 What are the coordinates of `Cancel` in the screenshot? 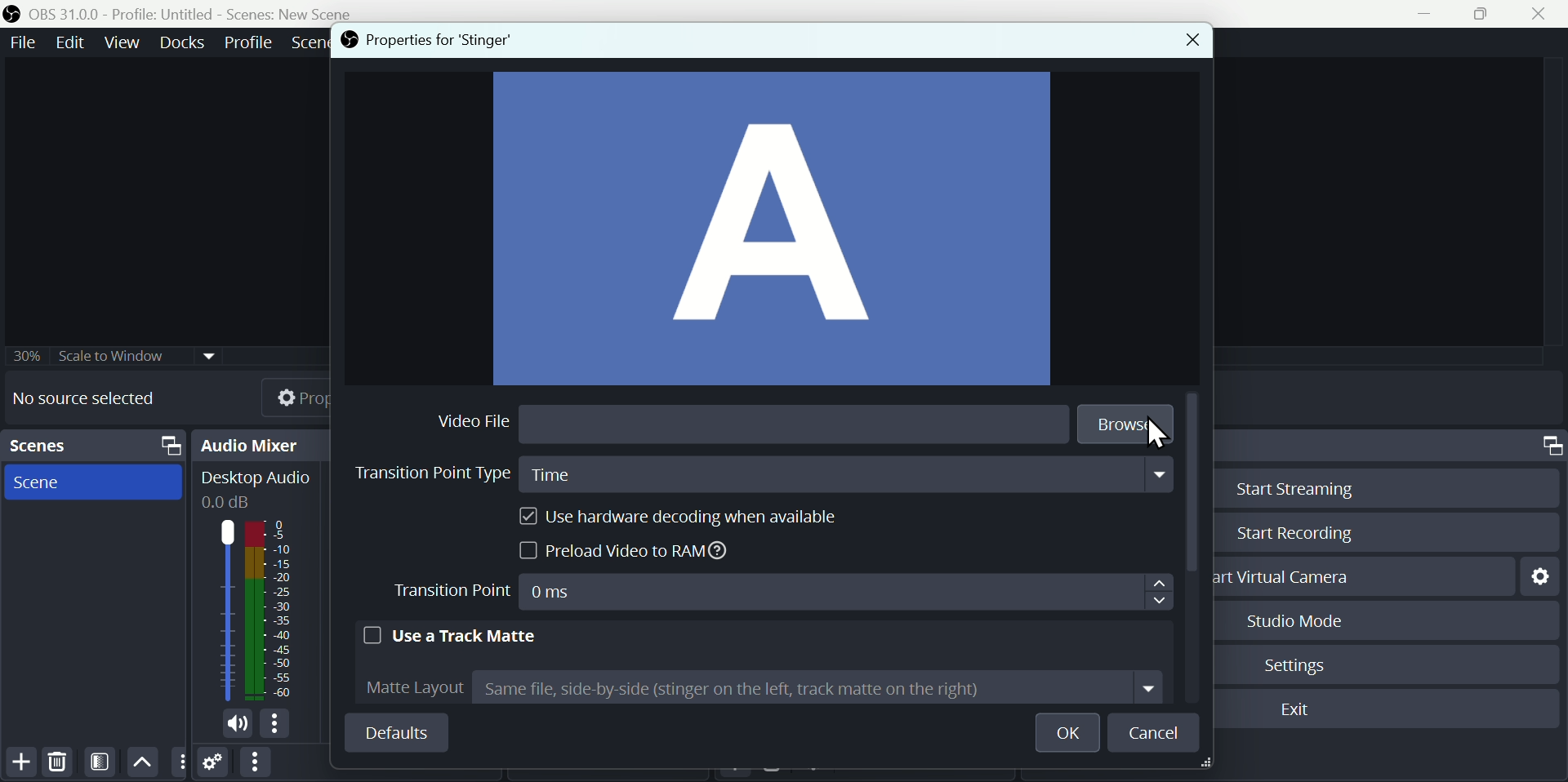 It's located at (1156, 732).